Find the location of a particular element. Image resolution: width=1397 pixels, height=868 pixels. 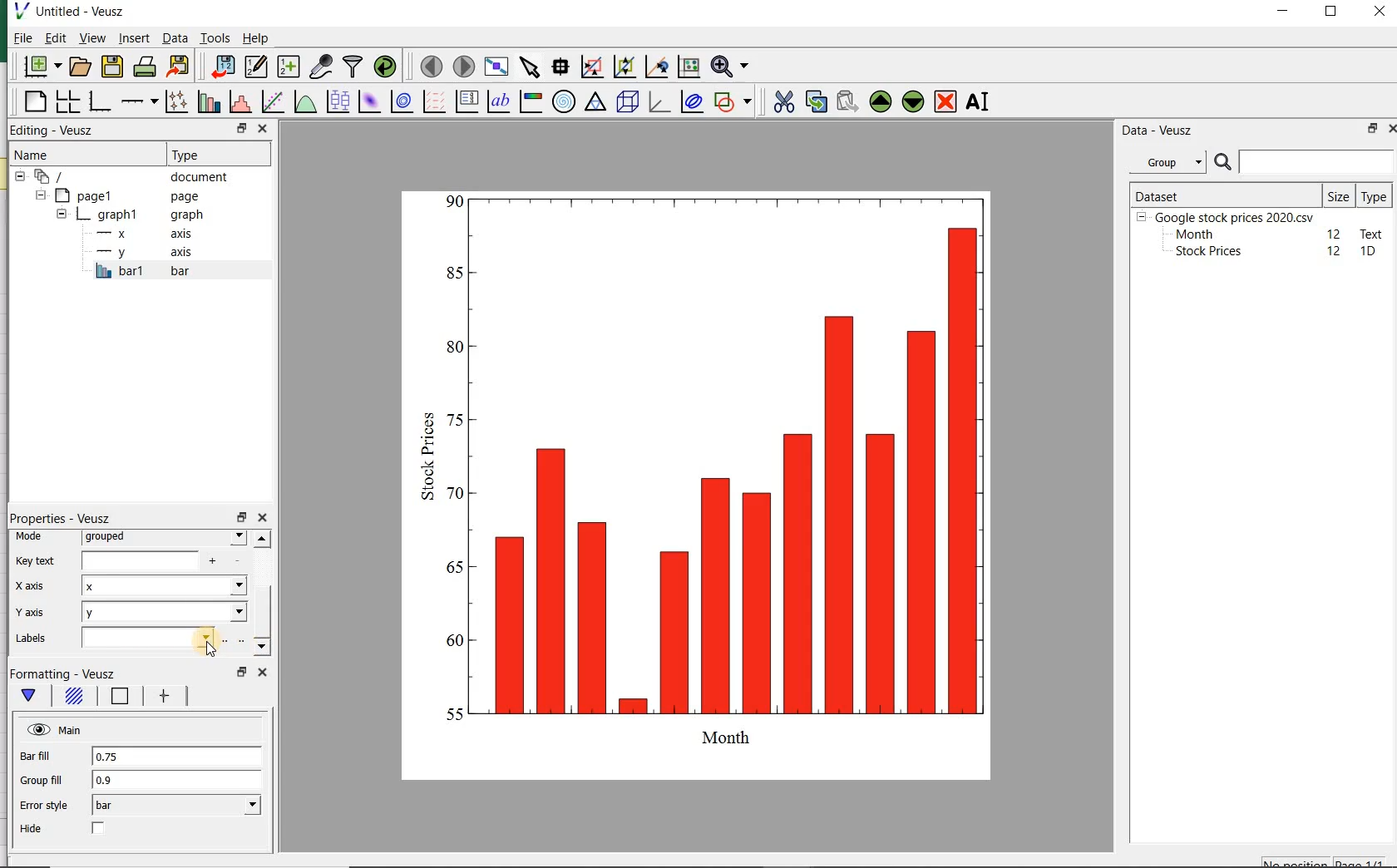

Main is located at coordinates (56, 729).